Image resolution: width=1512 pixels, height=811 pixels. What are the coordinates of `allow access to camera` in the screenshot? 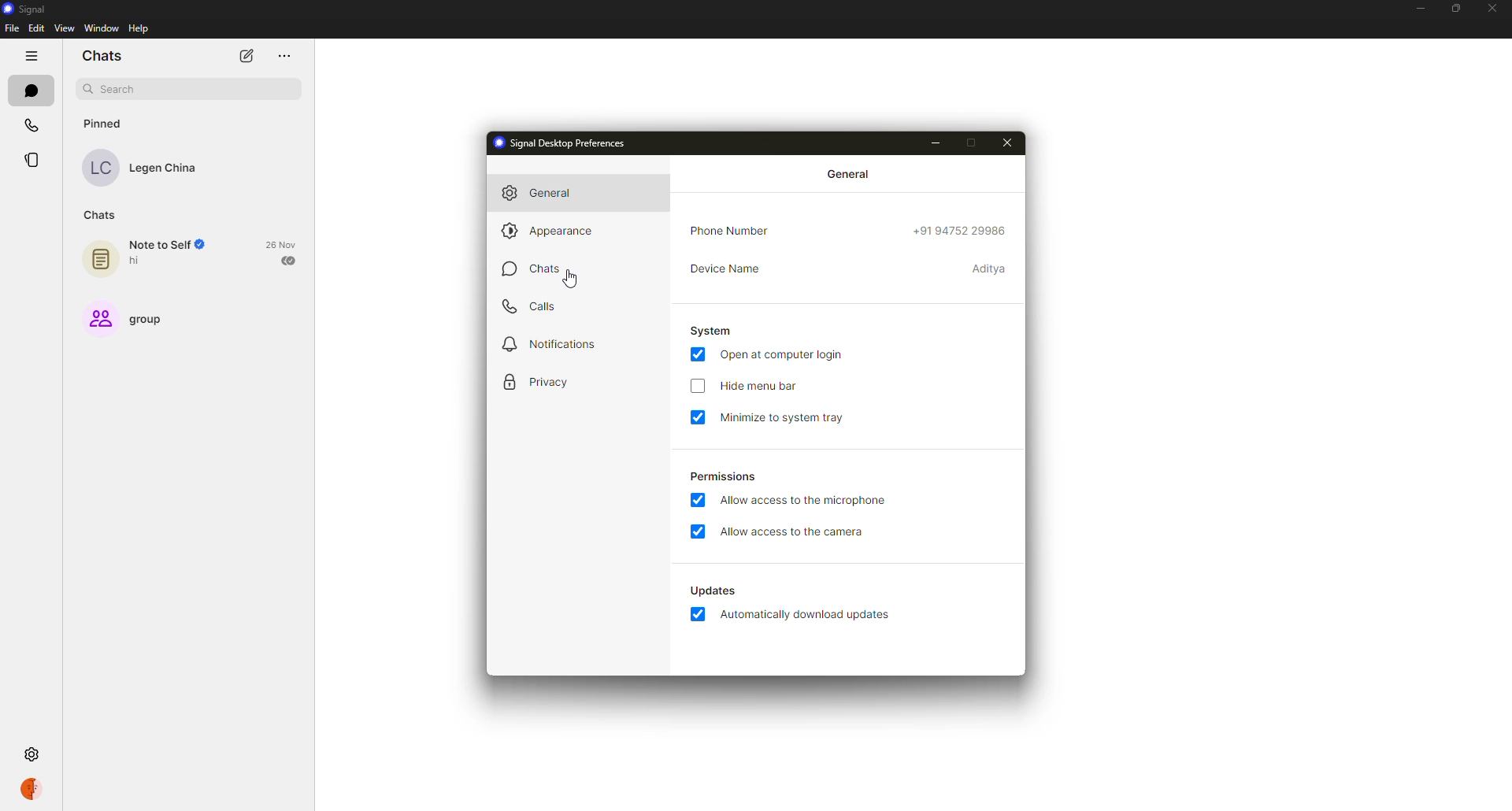 It's located at (794, 533).